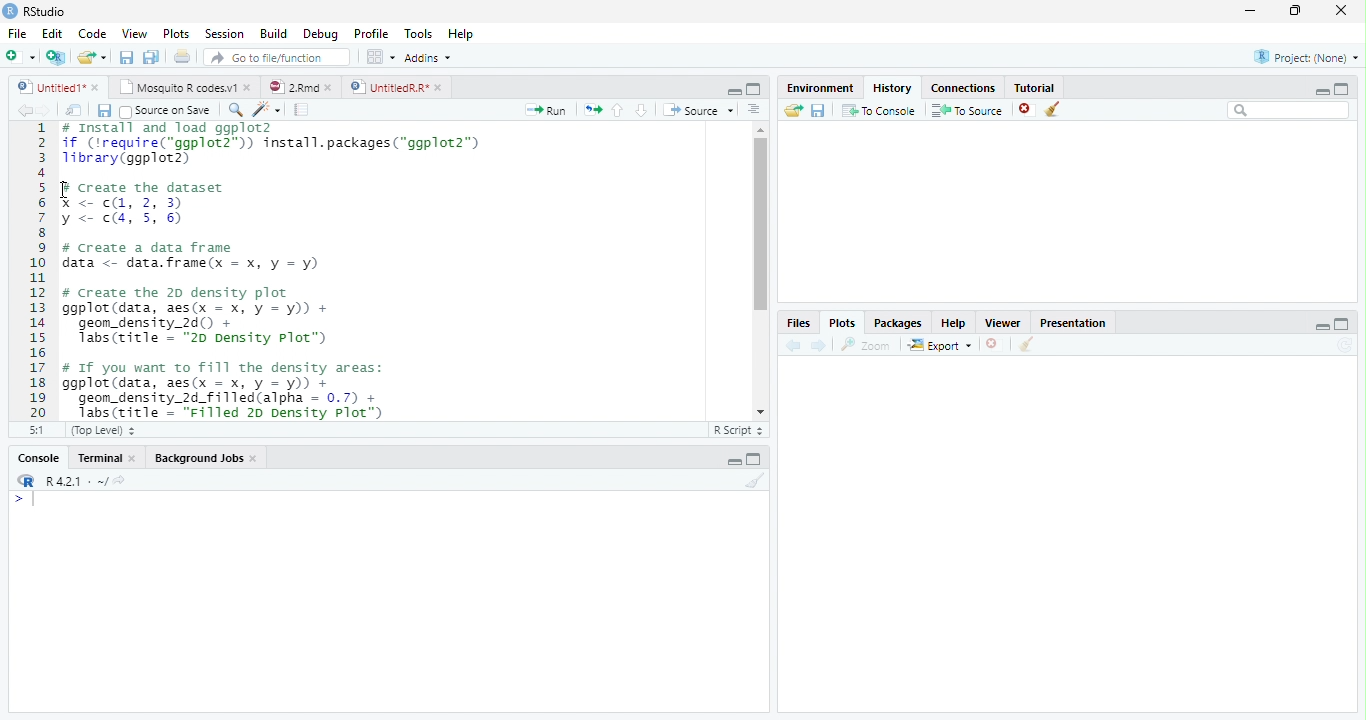 The image size is (1366, 720). What do you see at coordinates (1053, 110) in the screenshot?
I see `clear` at bounding box center [1053, 110].